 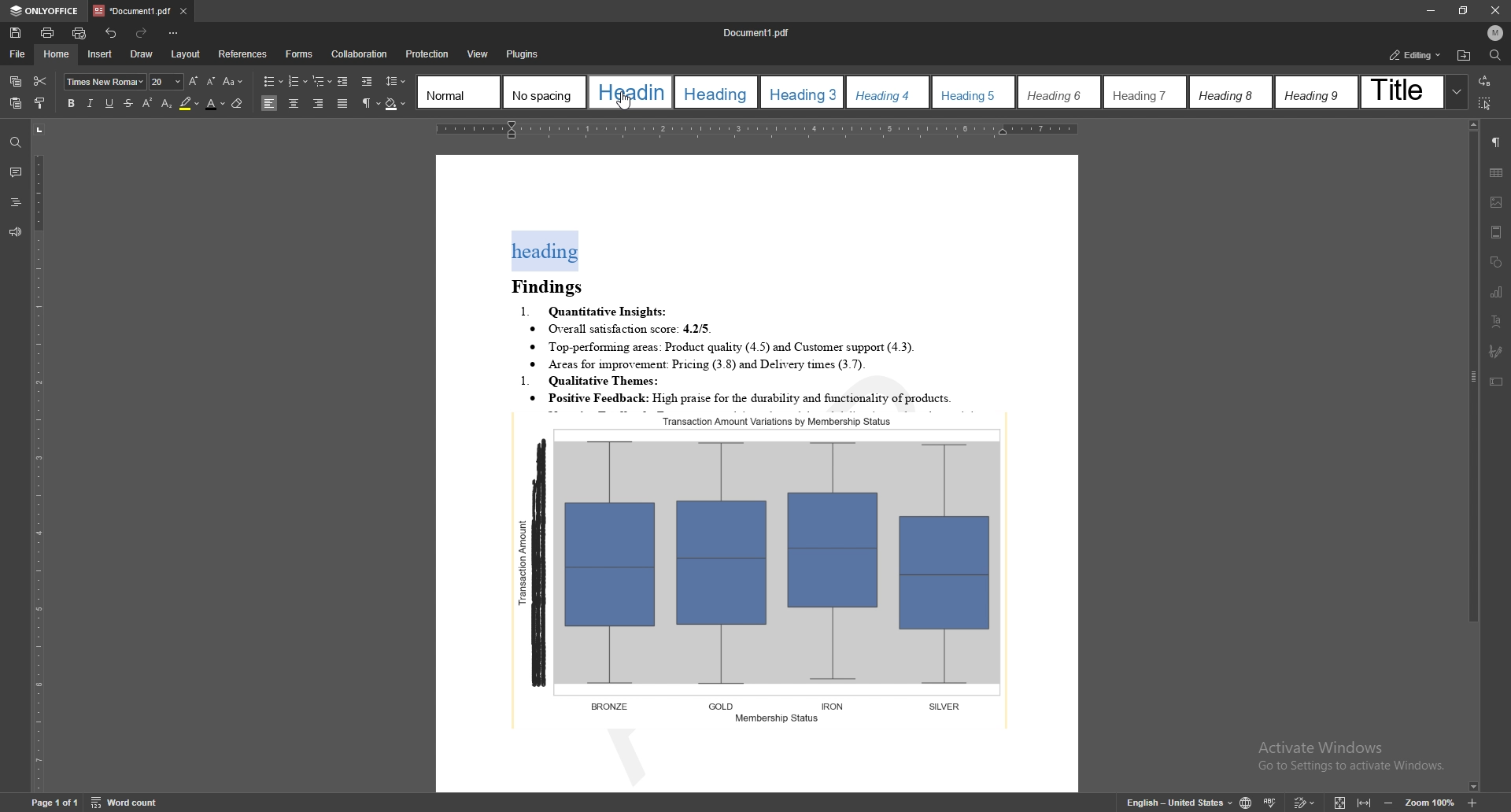 What do you see at coordinates (1464, 57) in the screenshot?
I see `locate file` at bounding box center [1464, 57].